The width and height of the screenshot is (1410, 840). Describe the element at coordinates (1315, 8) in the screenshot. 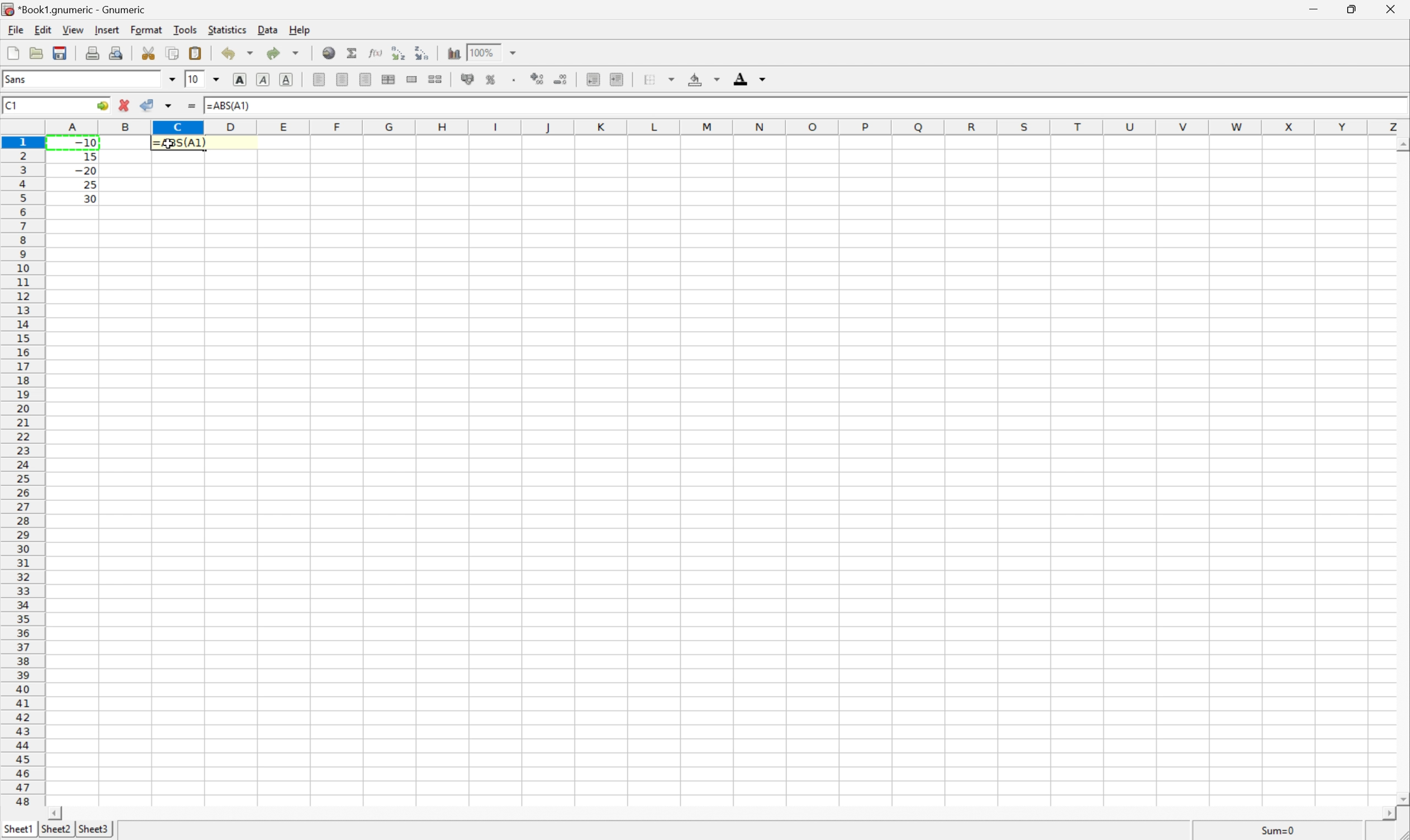

I see `Minimize` at that location.